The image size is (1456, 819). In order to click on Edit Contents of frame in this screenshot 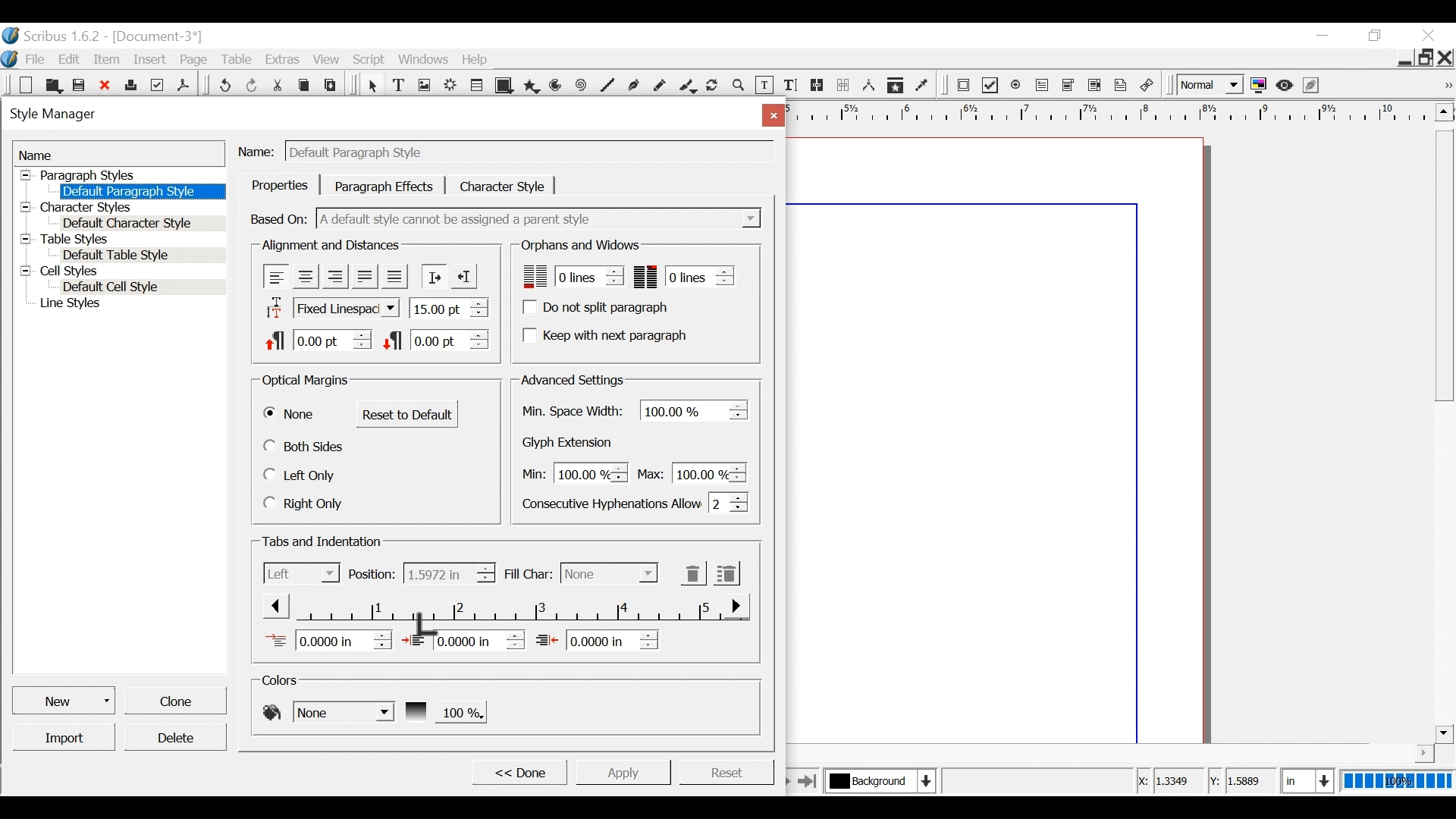, I will do `click(764, 86)`.